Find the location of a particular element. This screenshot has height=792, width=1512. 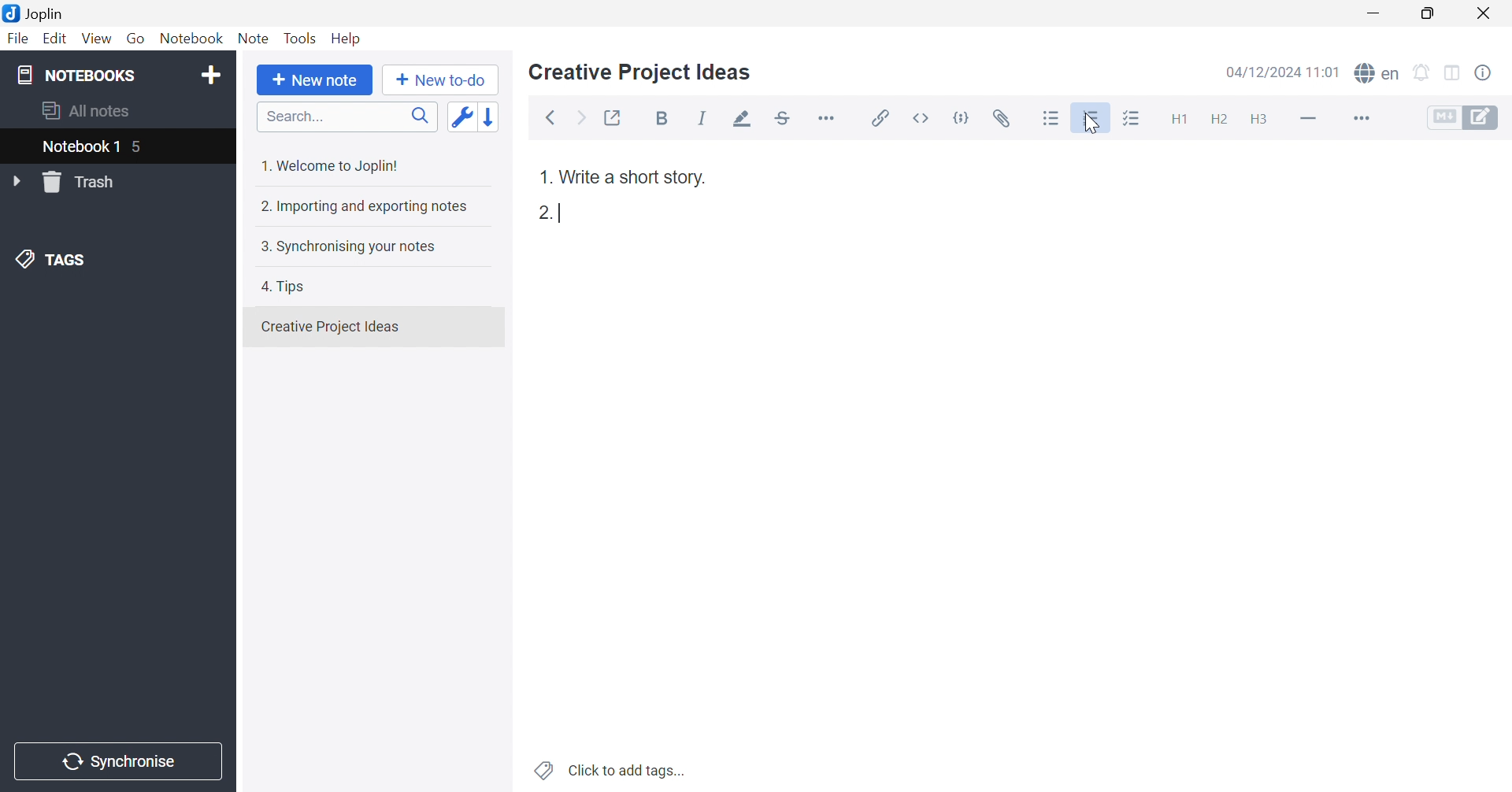

Note is located at coordinates (252, 39).